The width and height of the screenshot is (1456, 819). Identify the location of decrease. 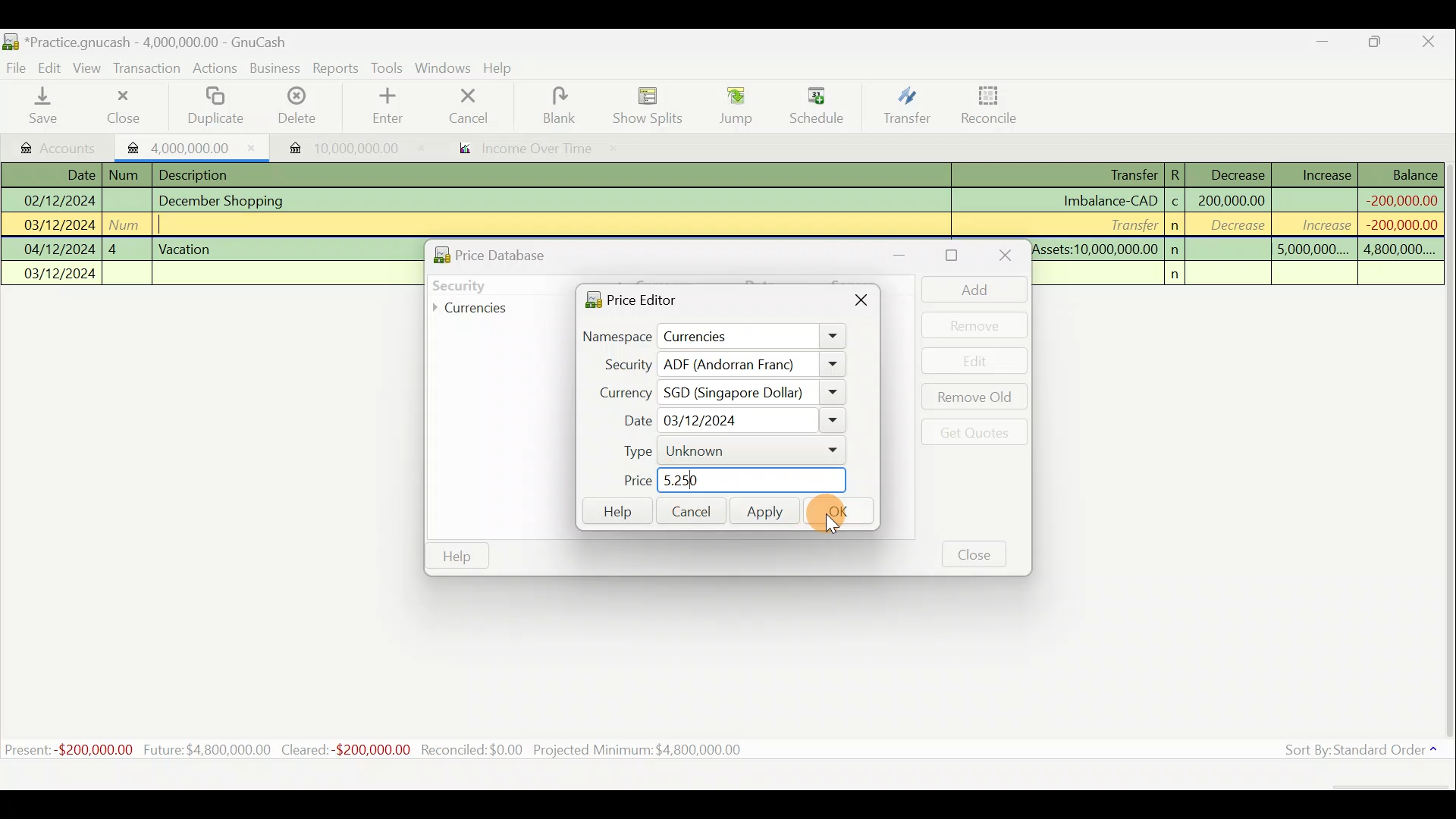
(1233, 227).